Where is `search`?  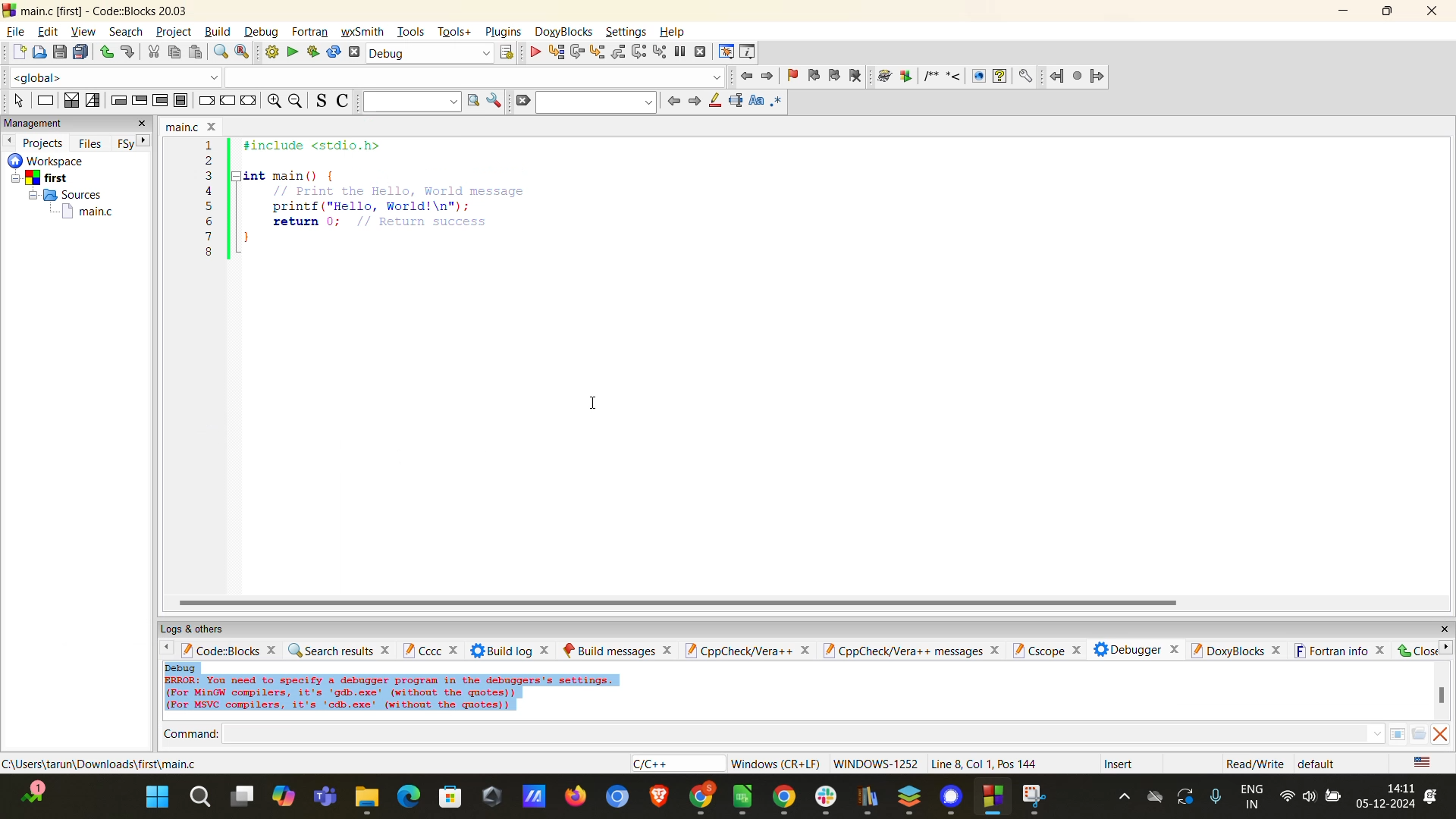
search is located at coordinates (127, 33).